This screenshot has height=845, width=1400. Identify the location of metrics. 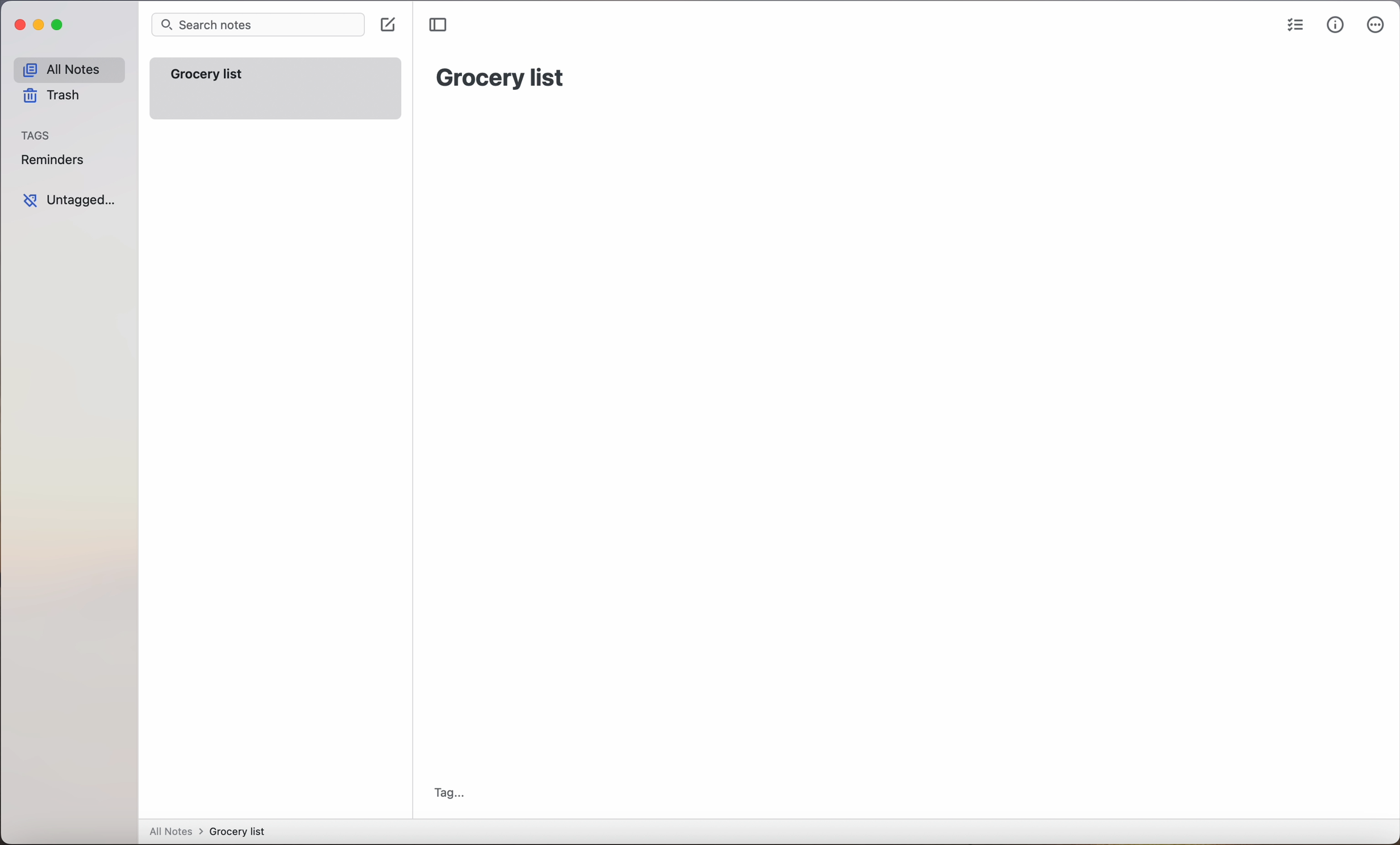
(1335, 26).